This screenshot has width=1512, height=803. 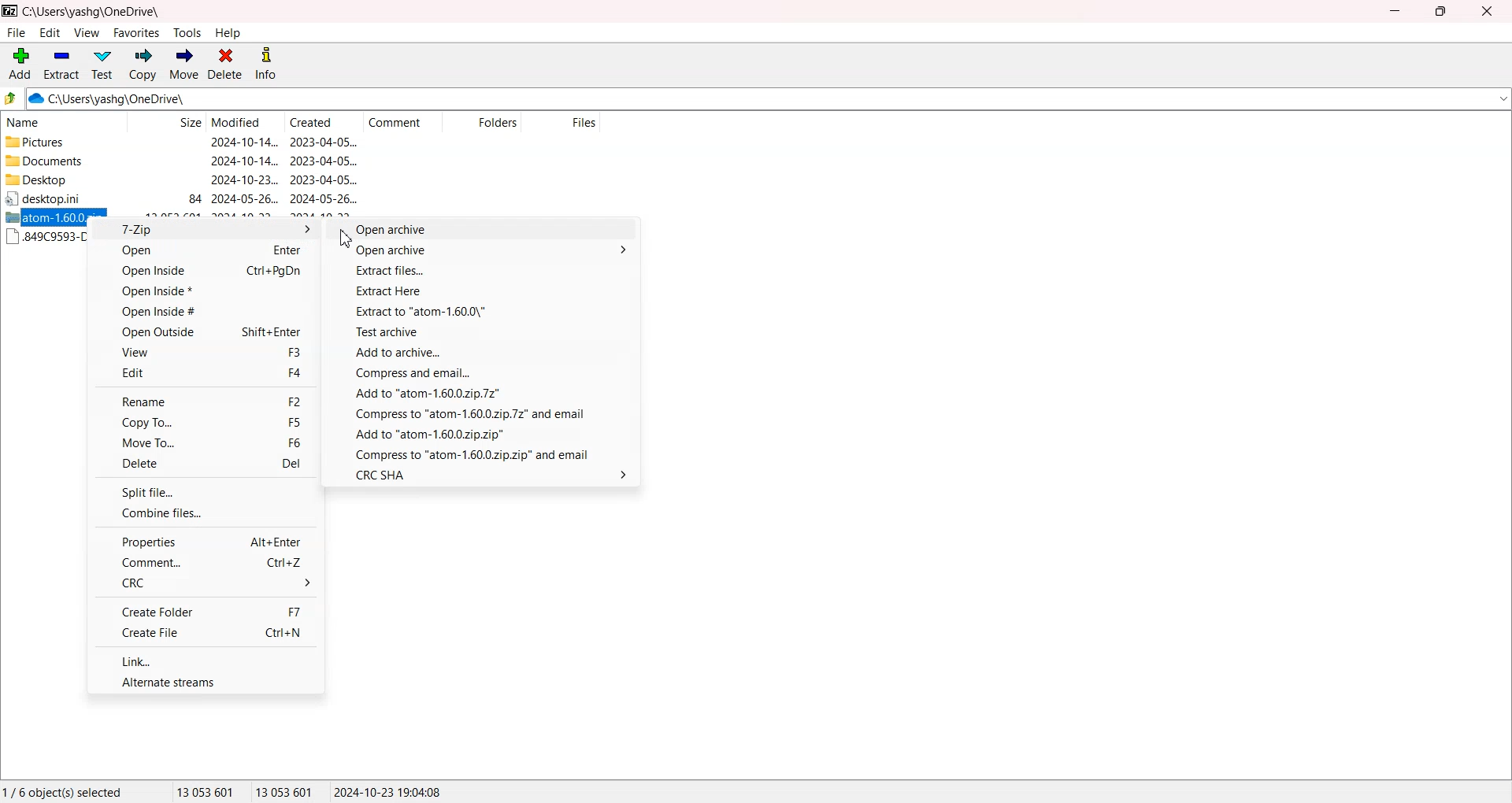 What do you see at coordinates (166, 123) in the screenshot?
I see `Size` at bounding box center [166, 123].